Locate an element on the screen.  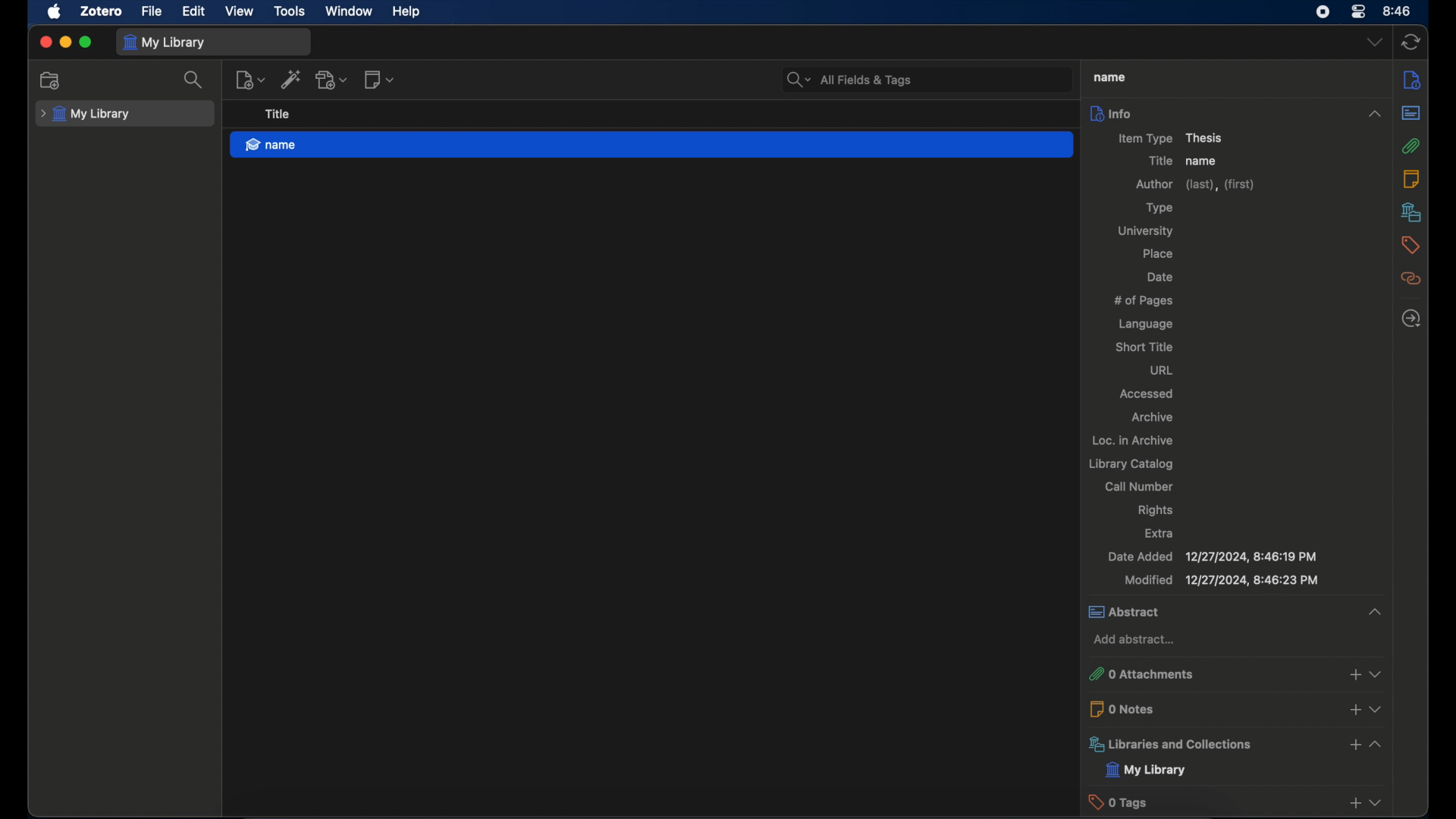
loc. in archive is located at coordinates (1132, 441).